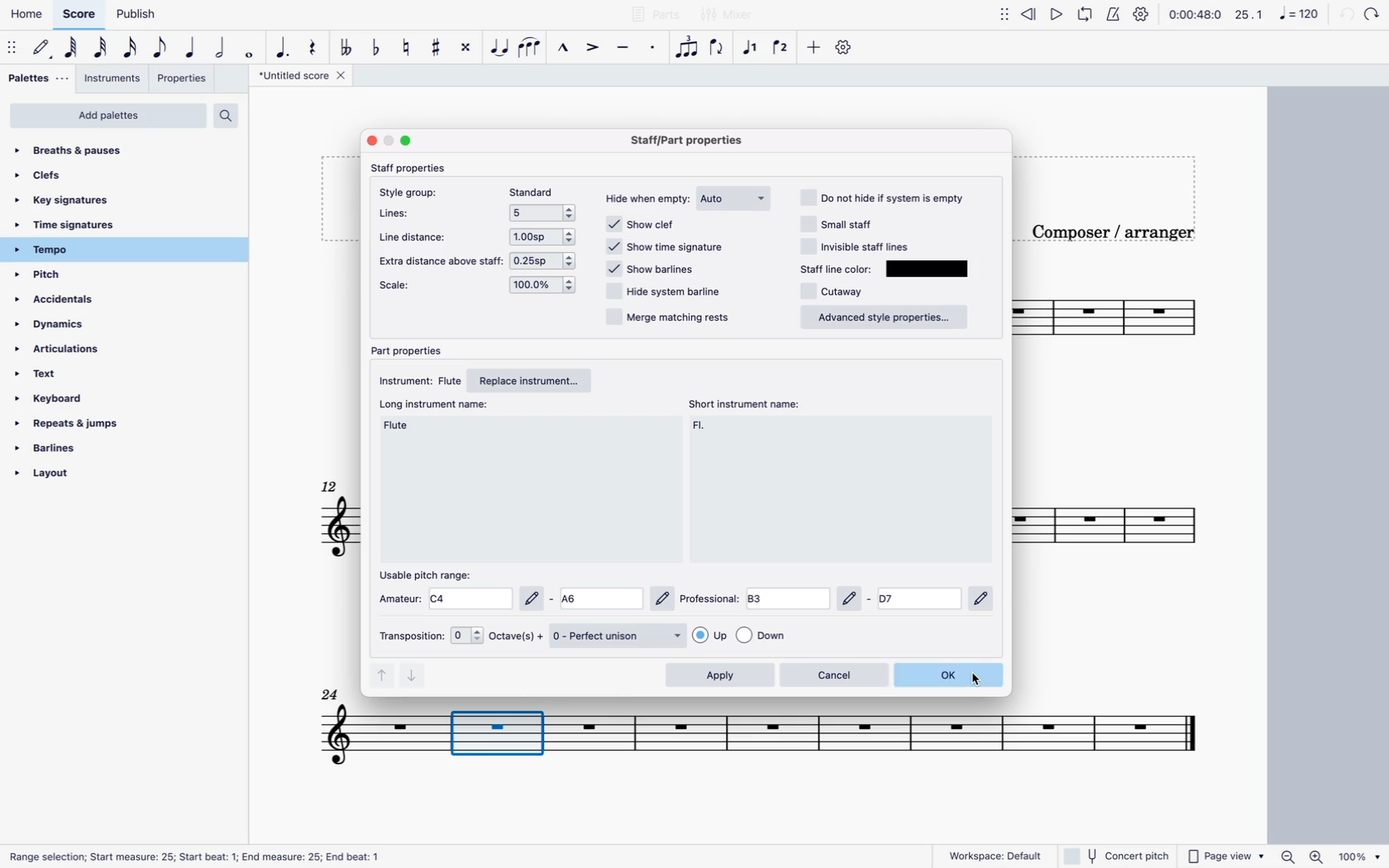 This screenshot has width=1389, height=868. I want to click on style group, so click(407, 192).